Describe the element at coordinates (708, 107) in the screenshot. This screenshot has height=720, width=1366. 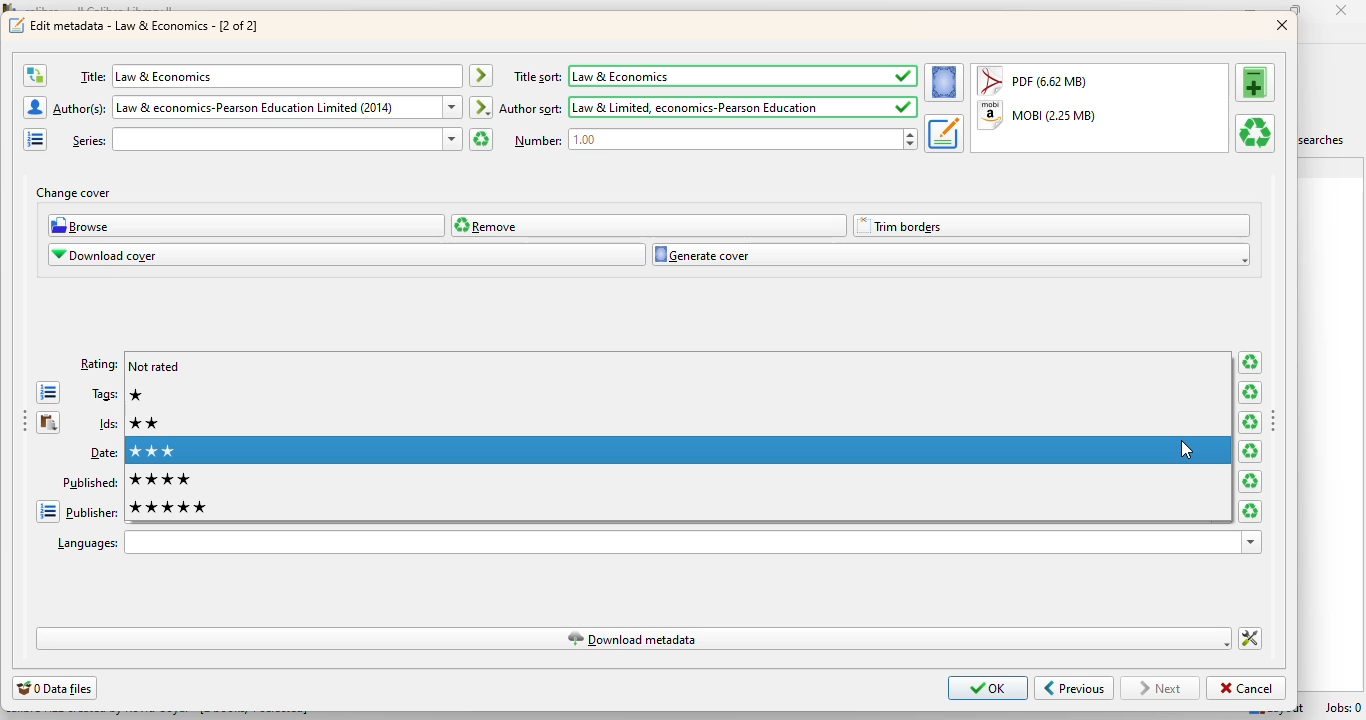
I see `author sort: law & limited, economics-pearson education` at that location.